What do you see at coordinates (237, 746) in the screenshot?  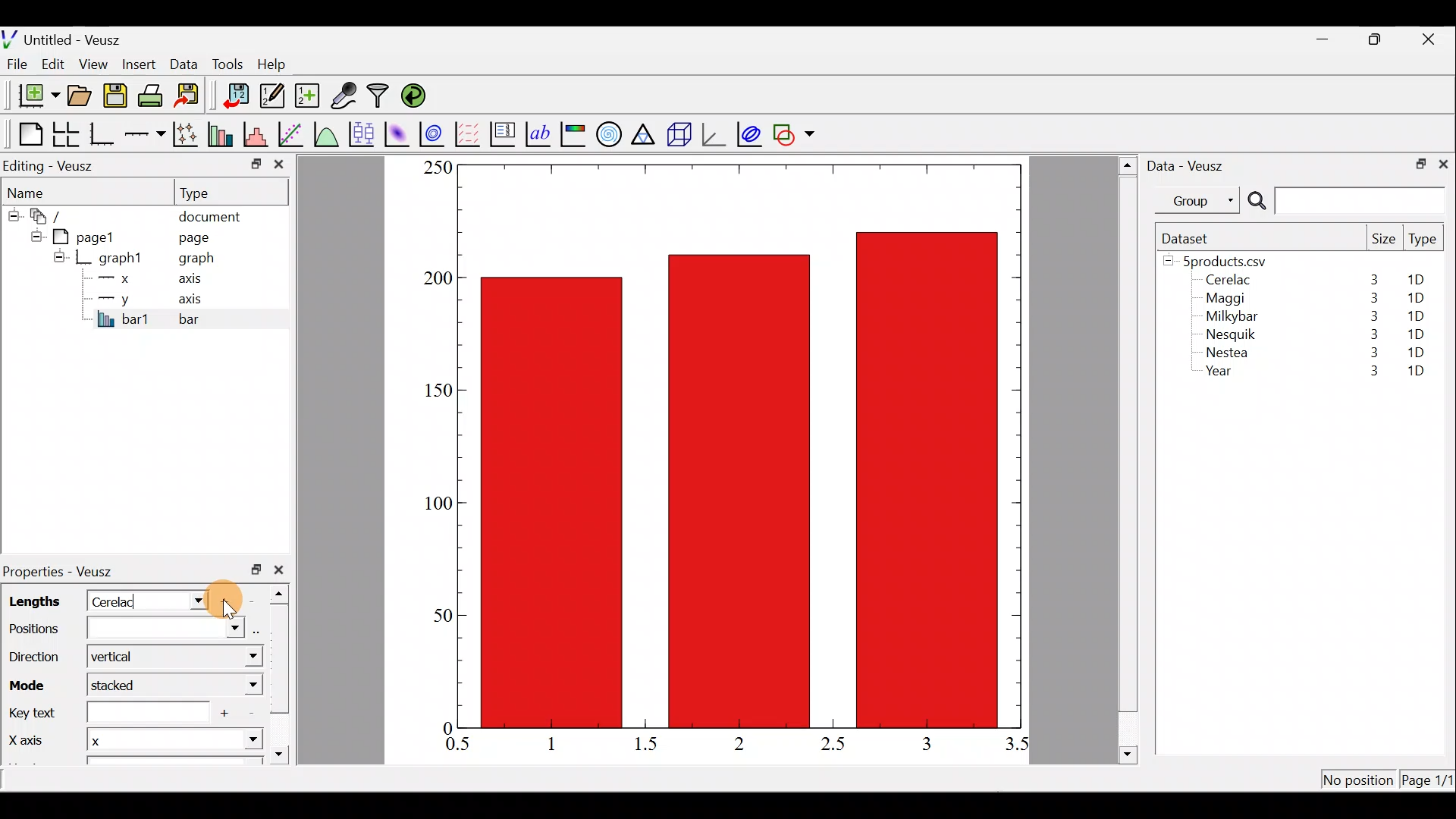 I see `x-axis dropdown` at bounding box center [237, 746].